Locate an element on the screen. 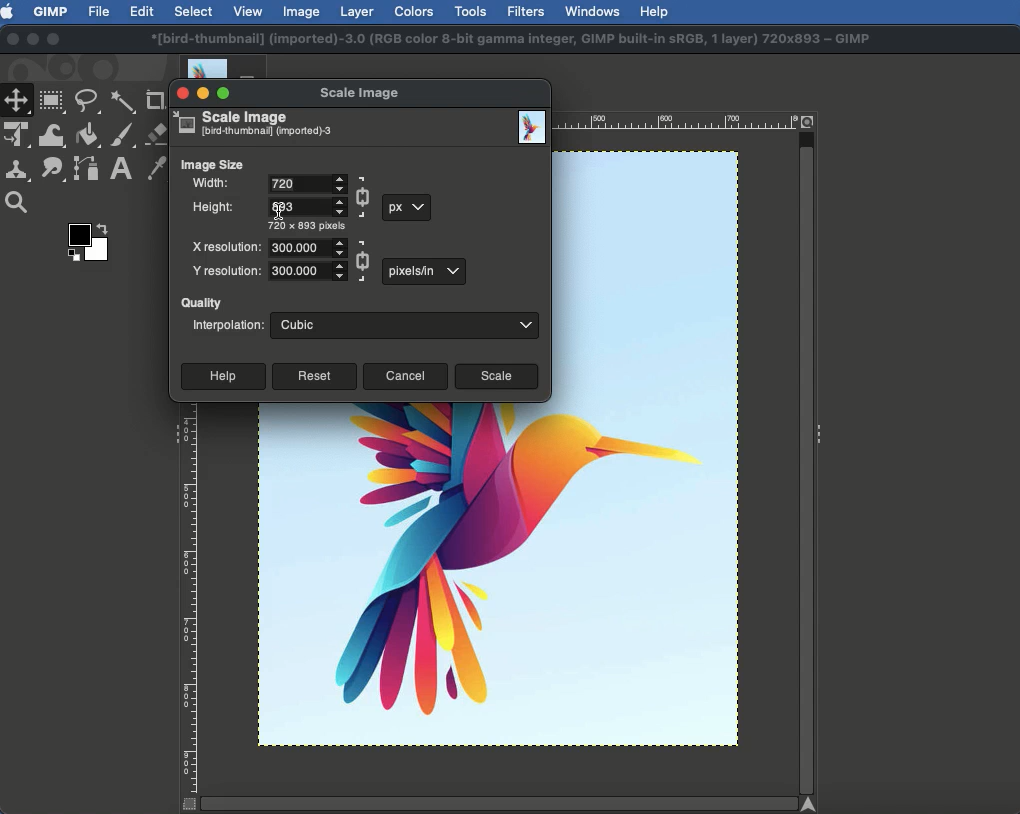  Quality is located at coordinates (200, 300).